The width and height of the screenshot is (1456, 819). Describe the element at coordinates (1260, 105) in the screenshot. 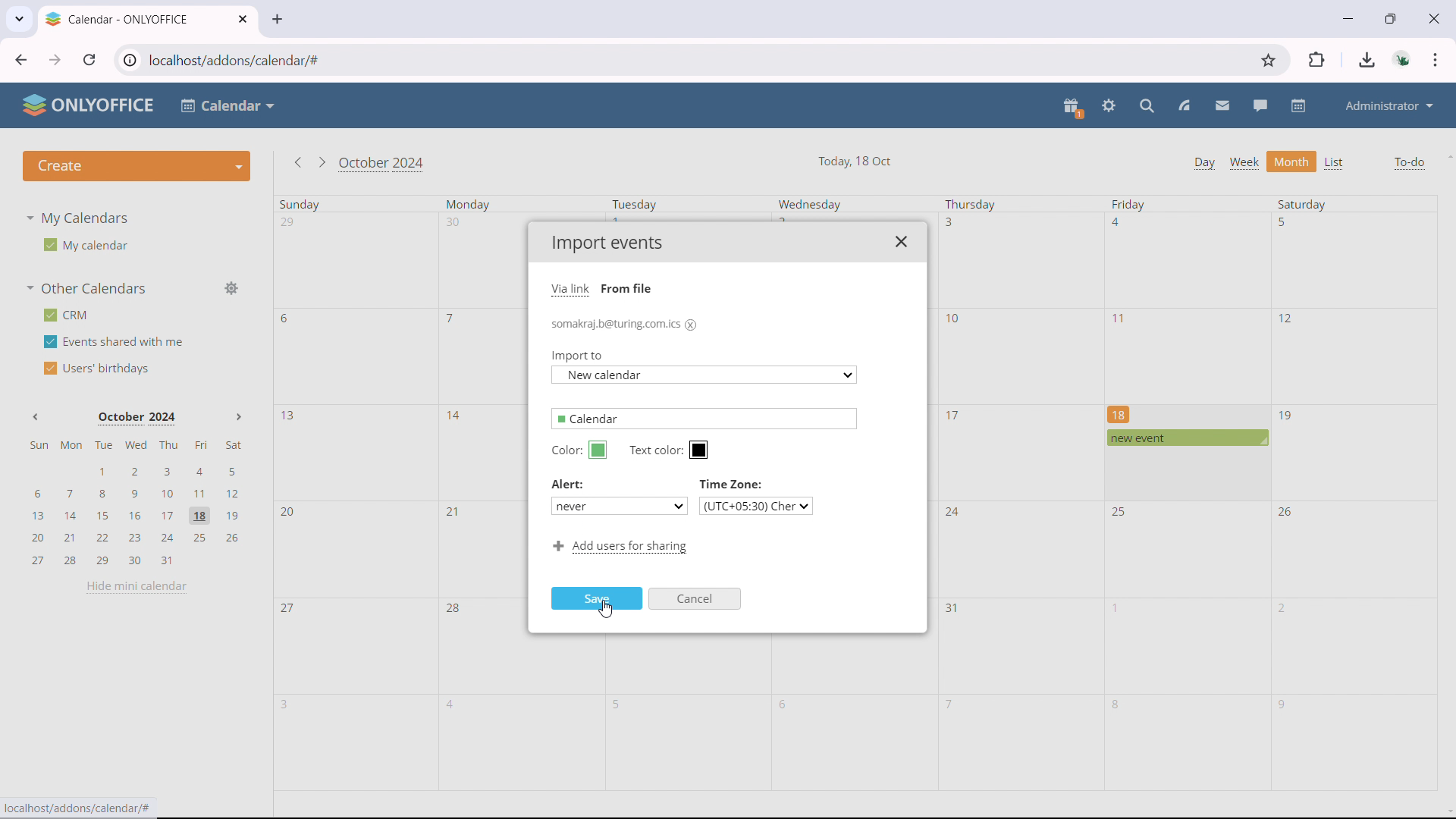

I see `talk` at that location.